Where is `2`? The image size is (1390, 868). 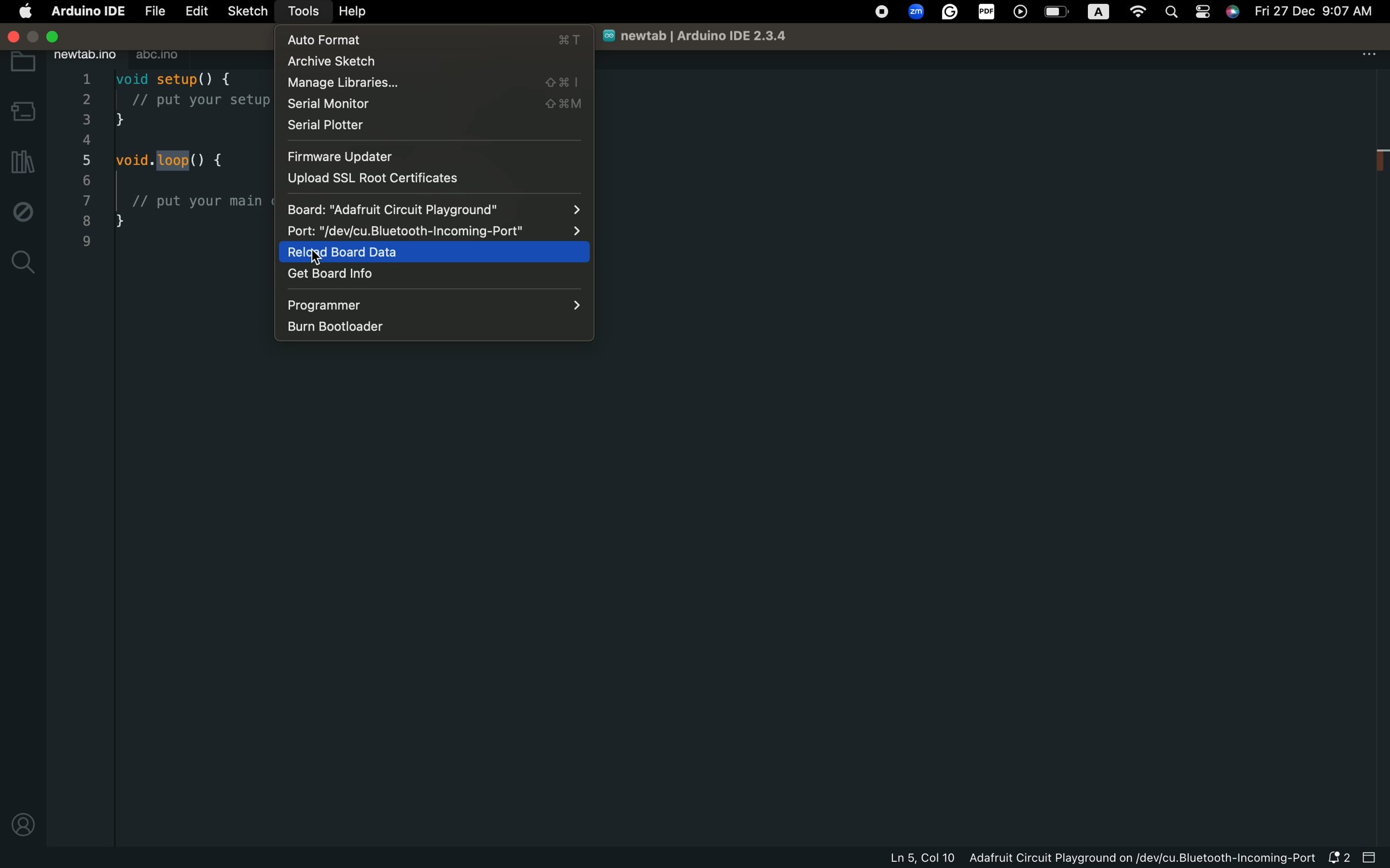 2 is located at coordinates (84, 99).